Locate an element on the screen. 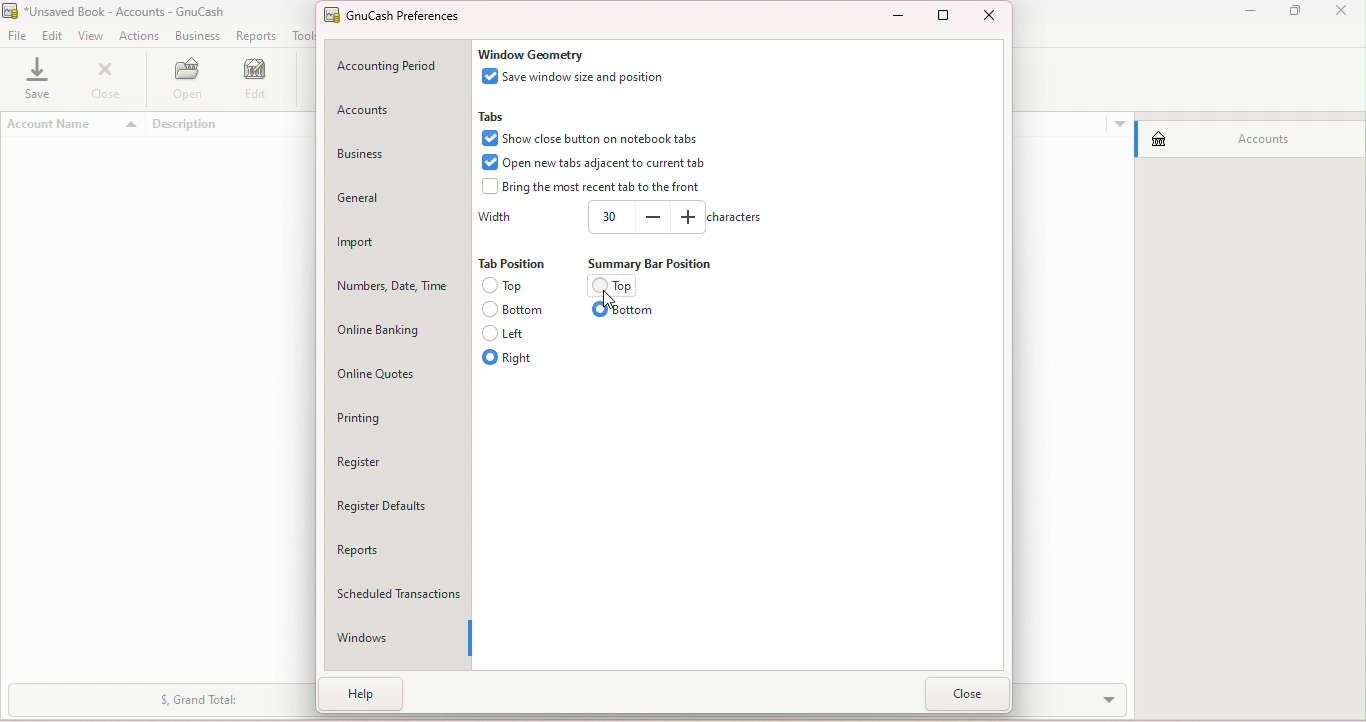  Characters is located at coordinates (739, 220).